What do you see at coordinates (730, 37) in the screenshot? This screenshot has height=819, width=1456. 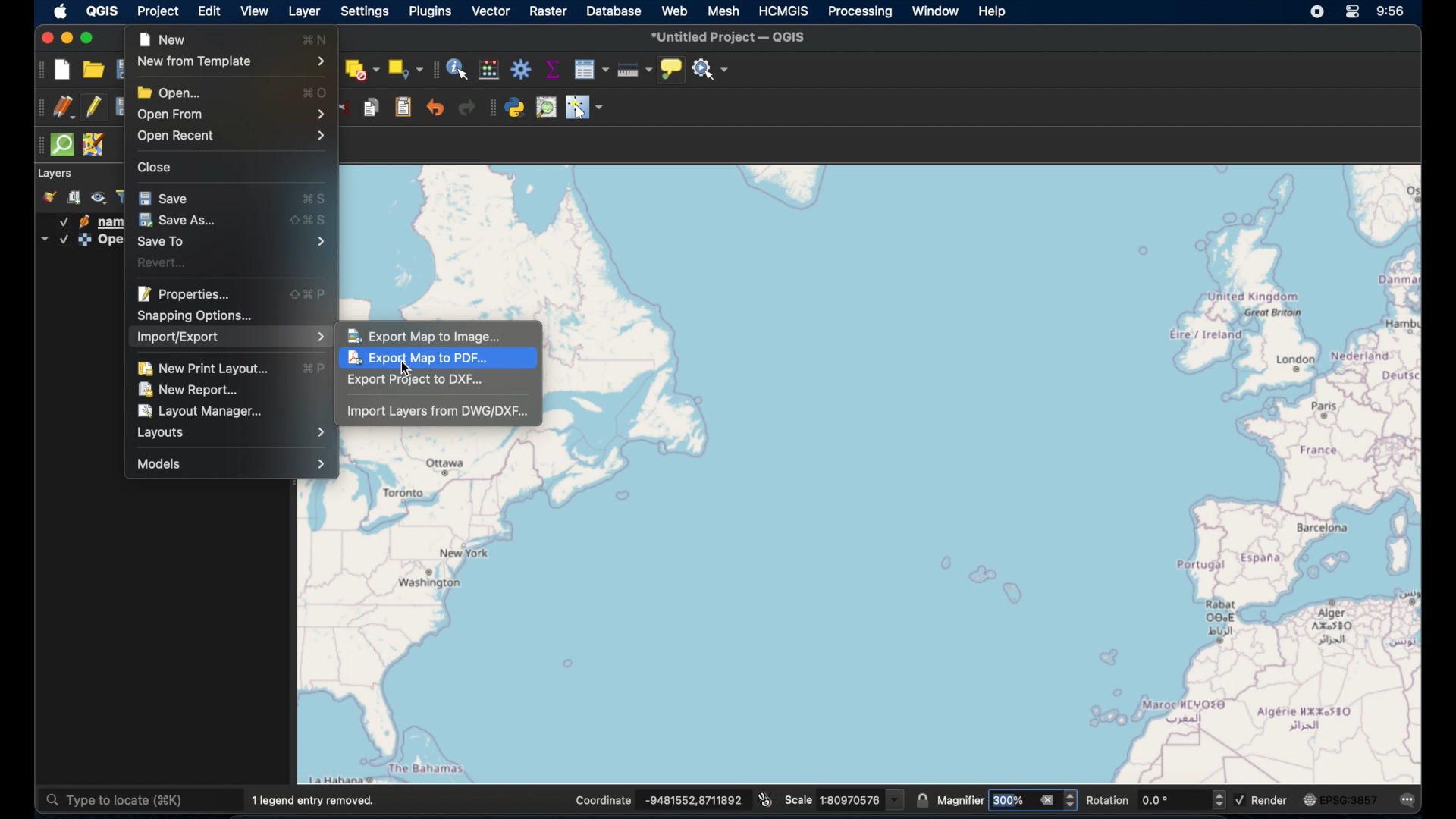 I see `untitled project - QGIS` at bounding box center [730, 37].